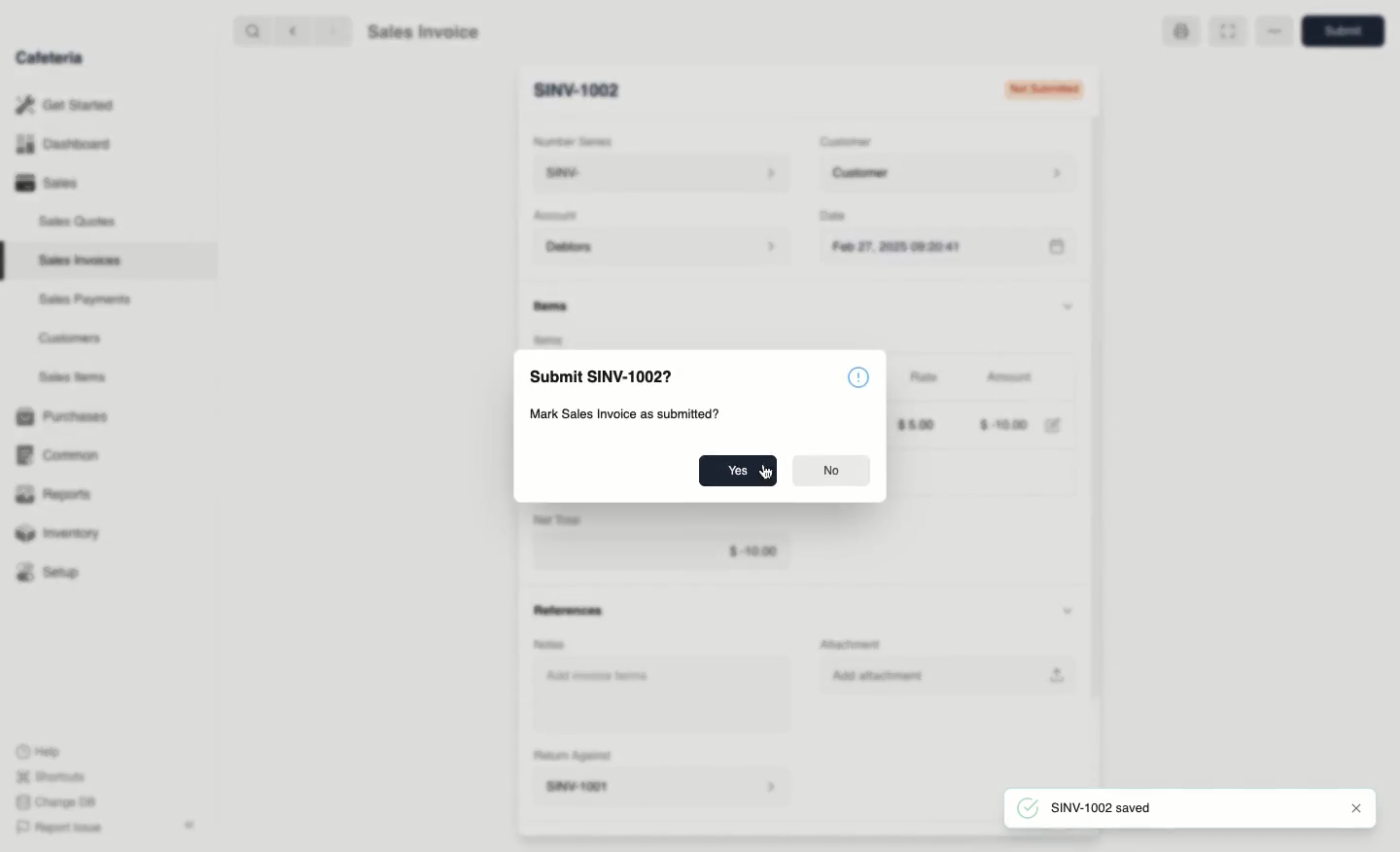 Image resolution: width=1400 pixels, height=852 pixels. Describe the element at coordinates (63, 826) in the screenshot. I see `Report Issue` at that location.